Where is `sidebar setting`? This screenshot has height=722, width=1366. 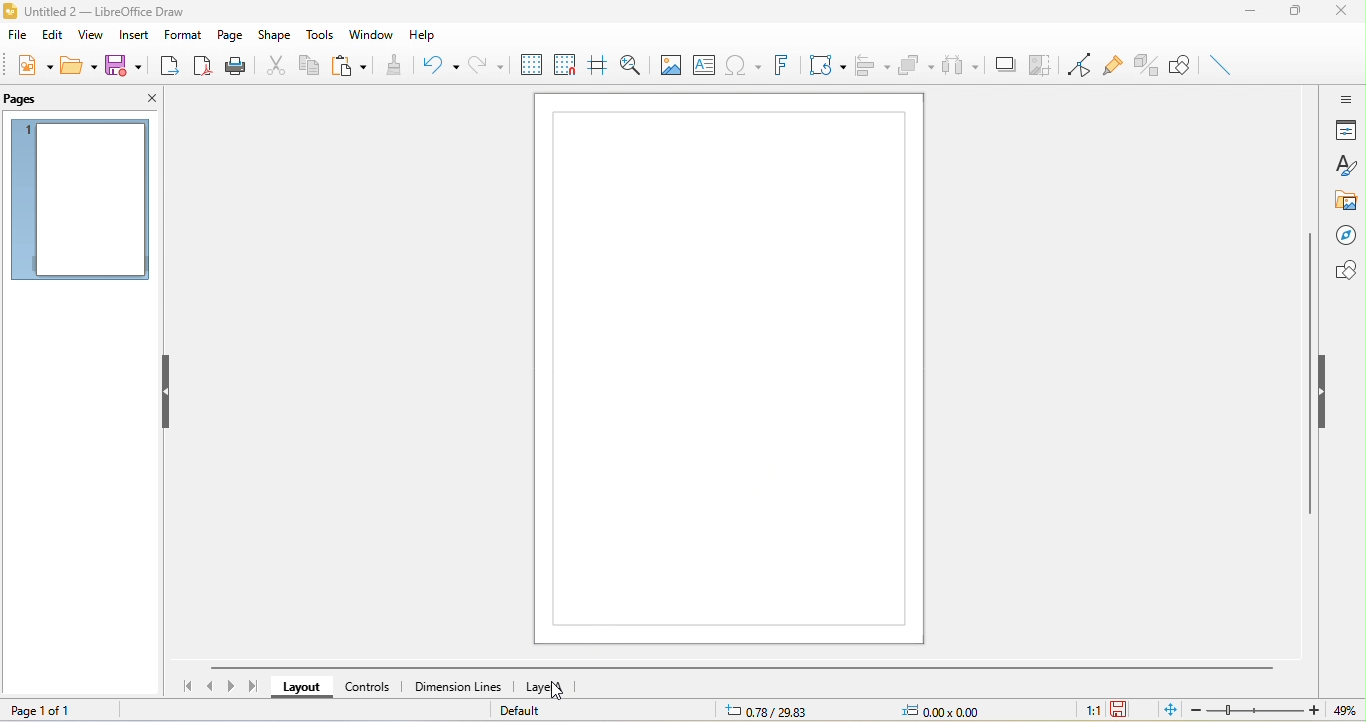 sidebar setting is located at coordinates (1348, 102).